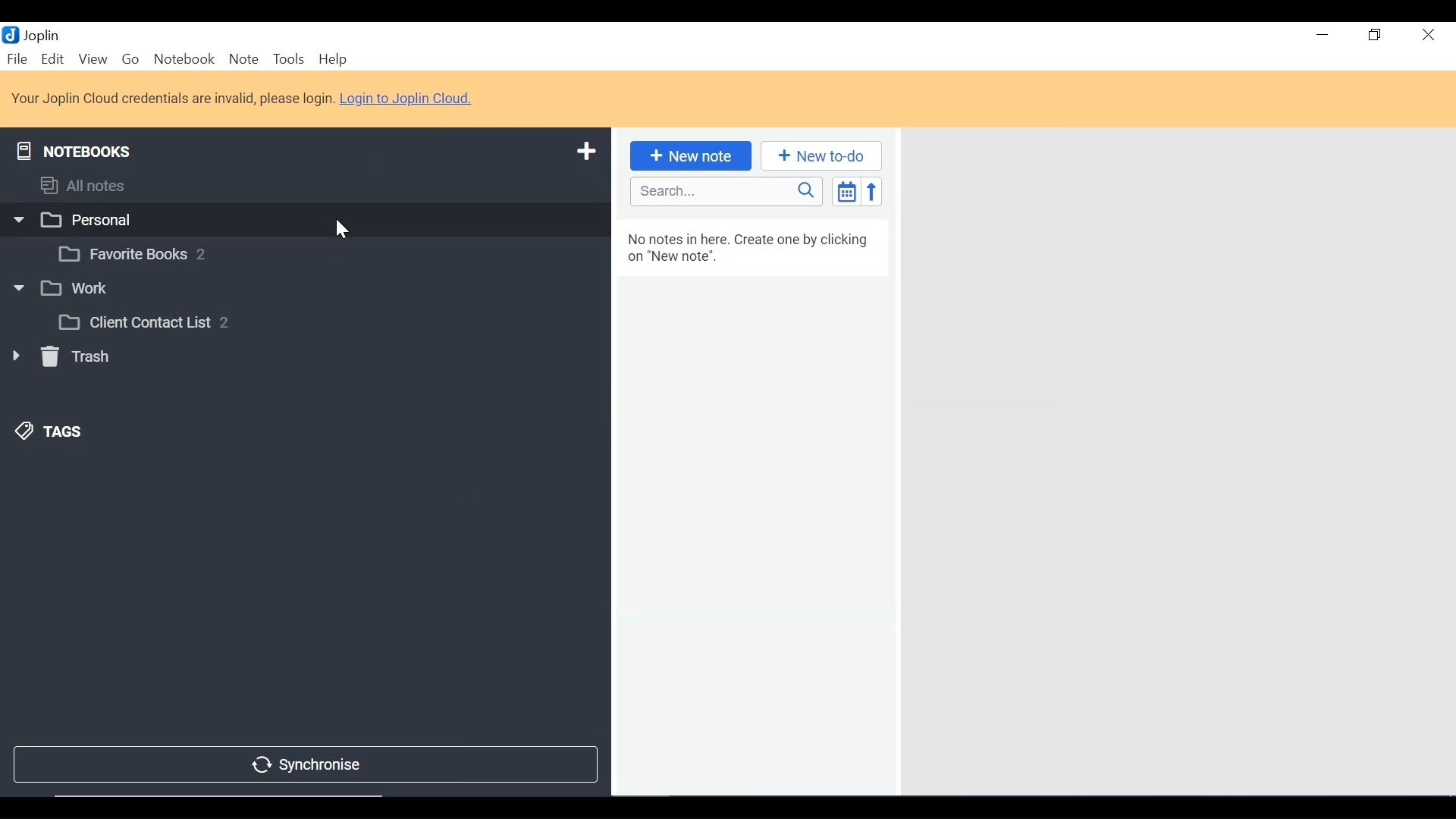 Image resolution: width=1456 pixels, height=819 pixels. Describe the element at coordinates (333, 60) in the screenshot. I see `Help` at that location.